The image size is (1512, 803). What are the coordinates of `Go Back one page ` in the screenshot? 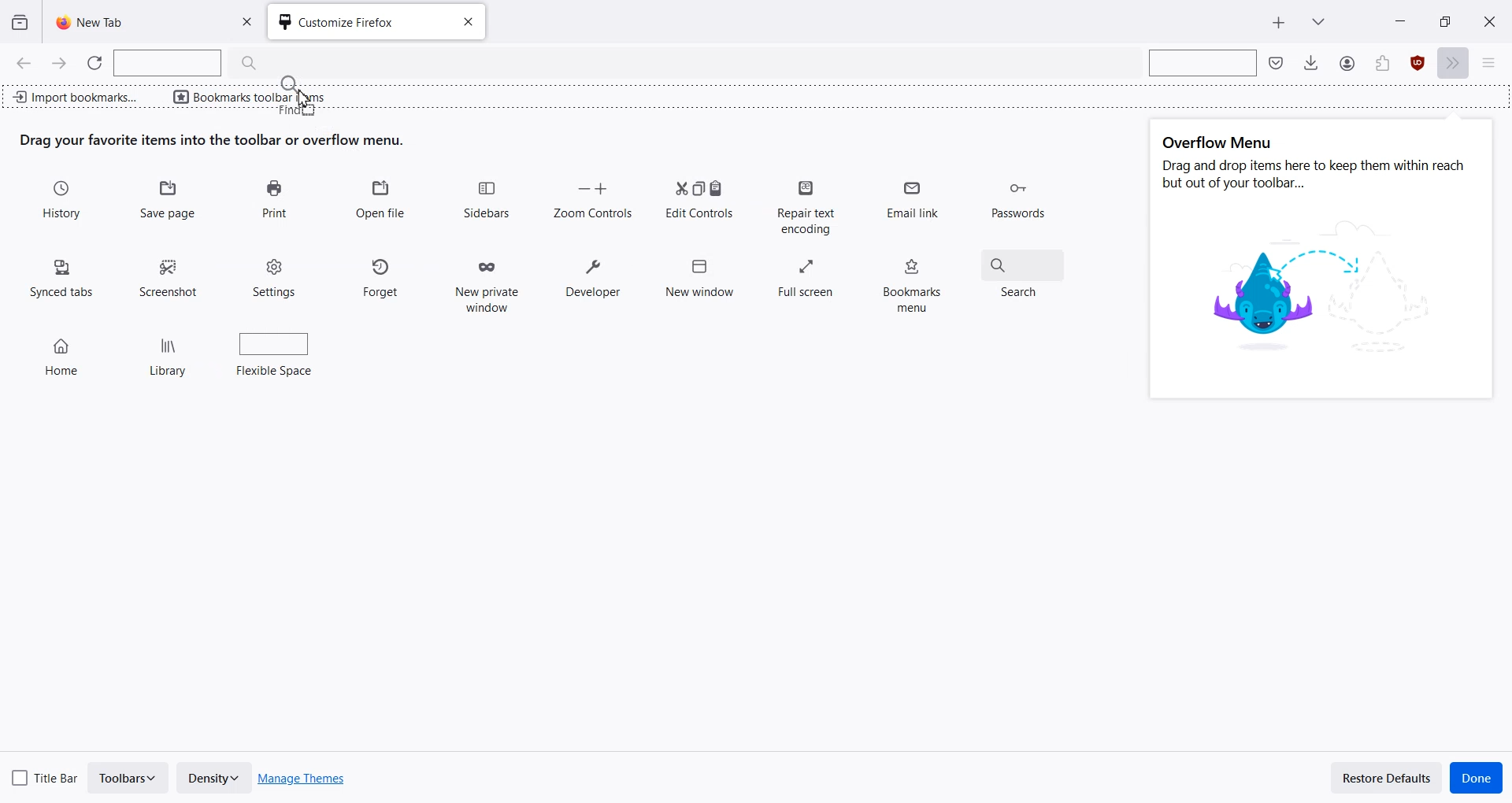 It's located at (22, 62).